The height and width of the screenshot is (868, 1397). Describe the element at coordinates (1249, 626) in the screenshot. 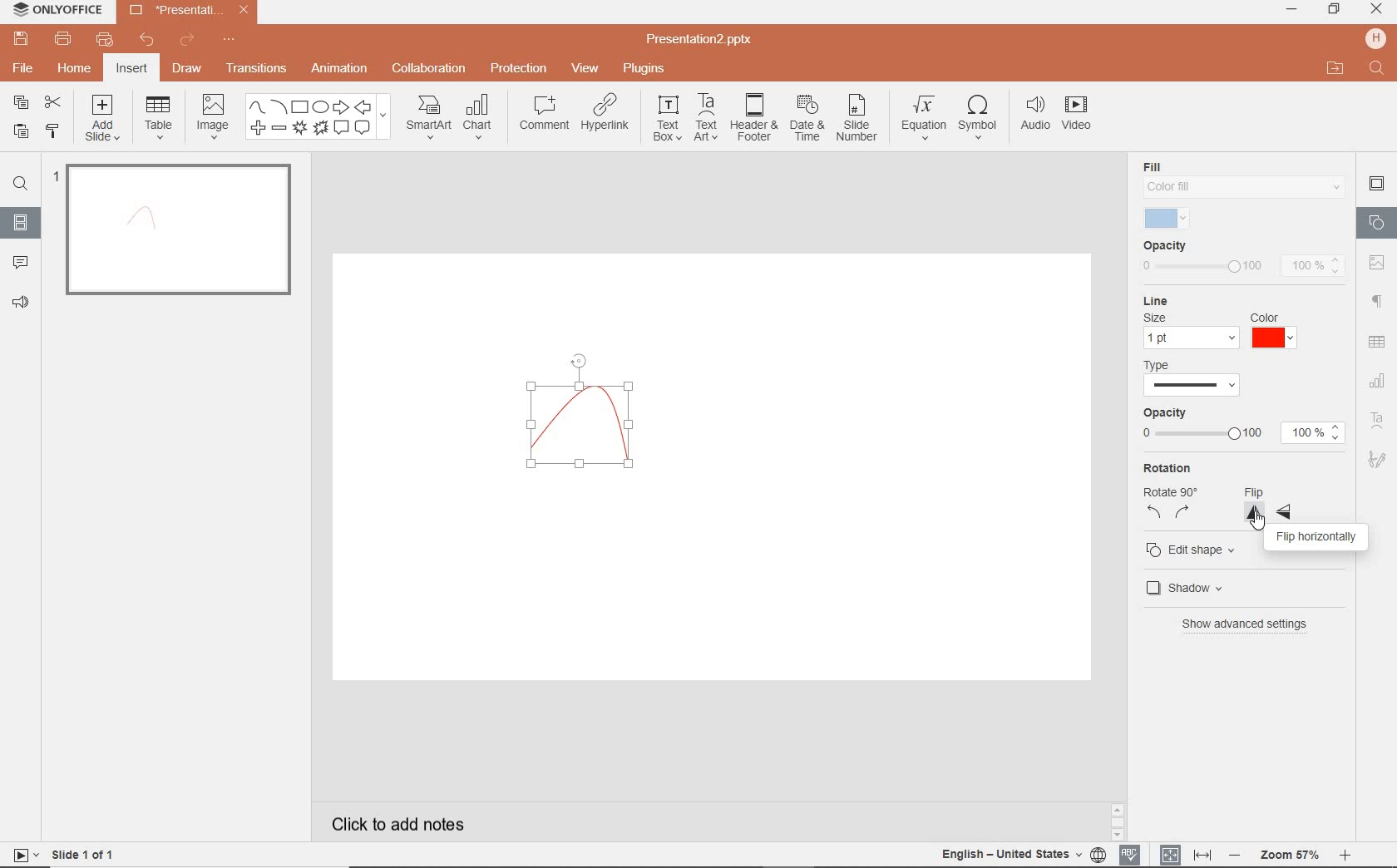

I see `show advanced settings` at that location.